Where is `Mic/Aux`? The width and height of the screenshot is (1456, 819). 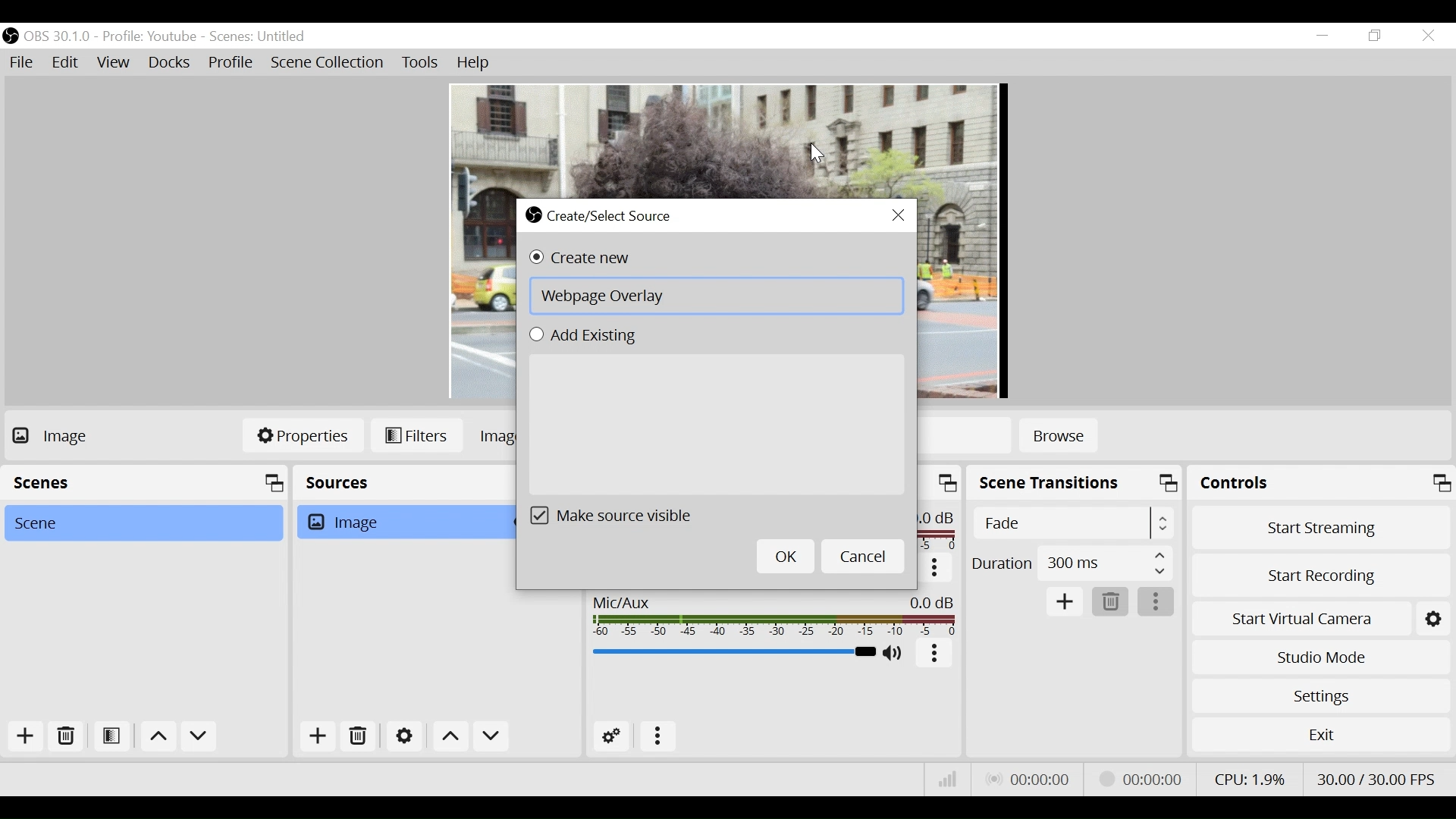 Mic/Aux is located at coordinates (777, 615).